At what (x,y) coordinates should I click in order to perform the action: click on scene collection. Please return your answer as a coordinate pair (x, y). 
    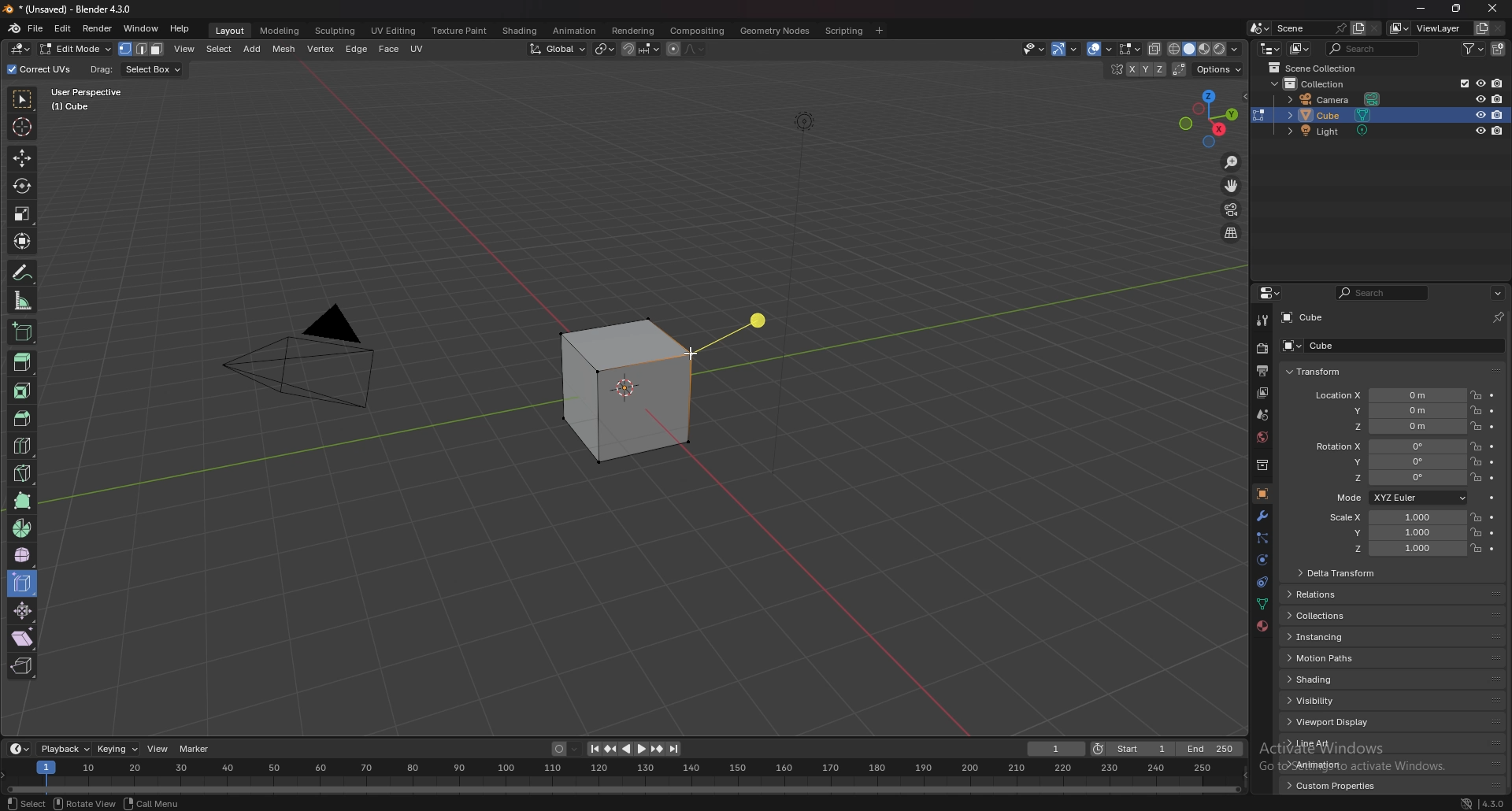
    Looking at the image, I should click on (1321, 67).